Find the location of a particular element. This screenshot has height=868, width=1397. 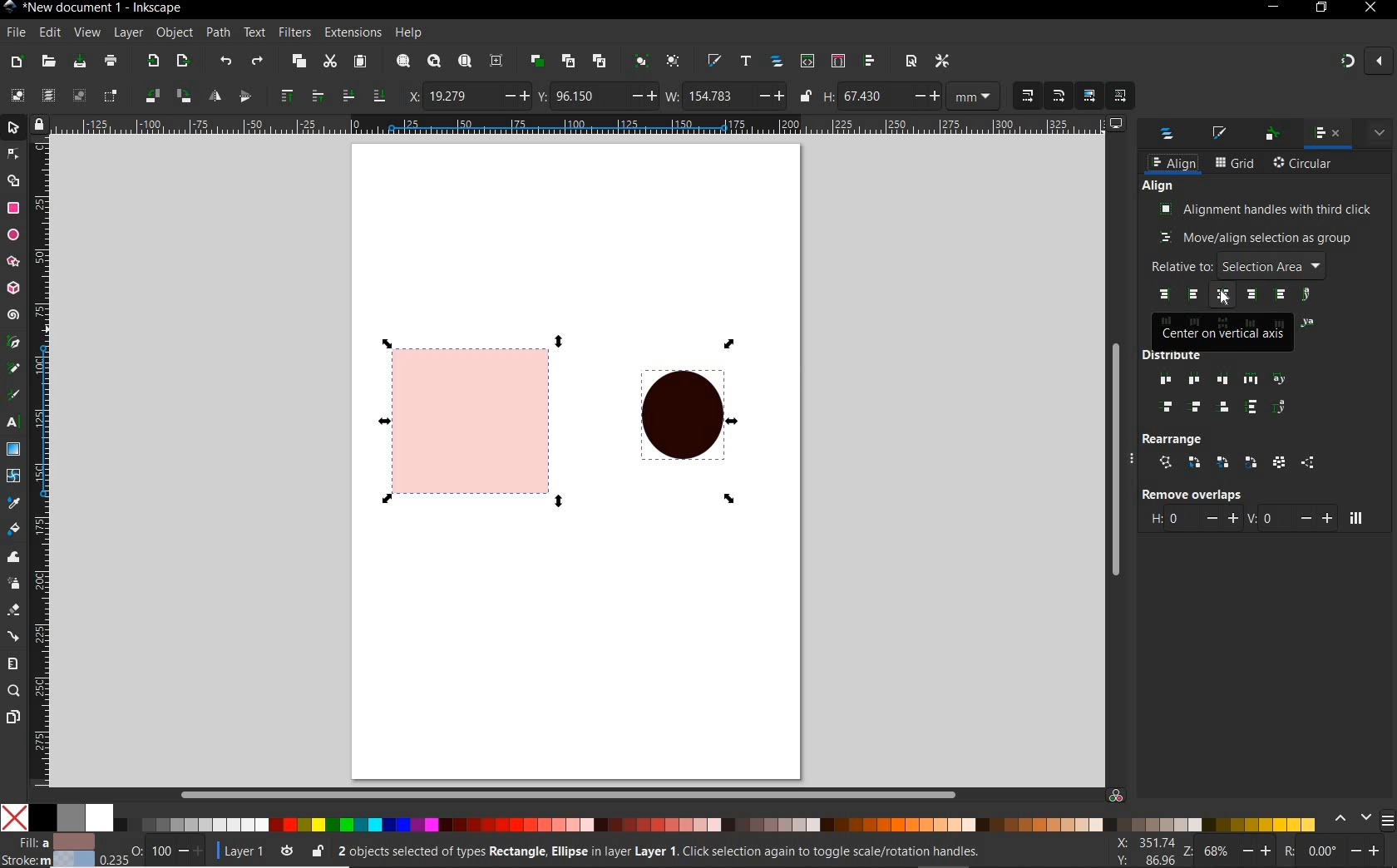

object properties is located at coordinates (1272, 135).